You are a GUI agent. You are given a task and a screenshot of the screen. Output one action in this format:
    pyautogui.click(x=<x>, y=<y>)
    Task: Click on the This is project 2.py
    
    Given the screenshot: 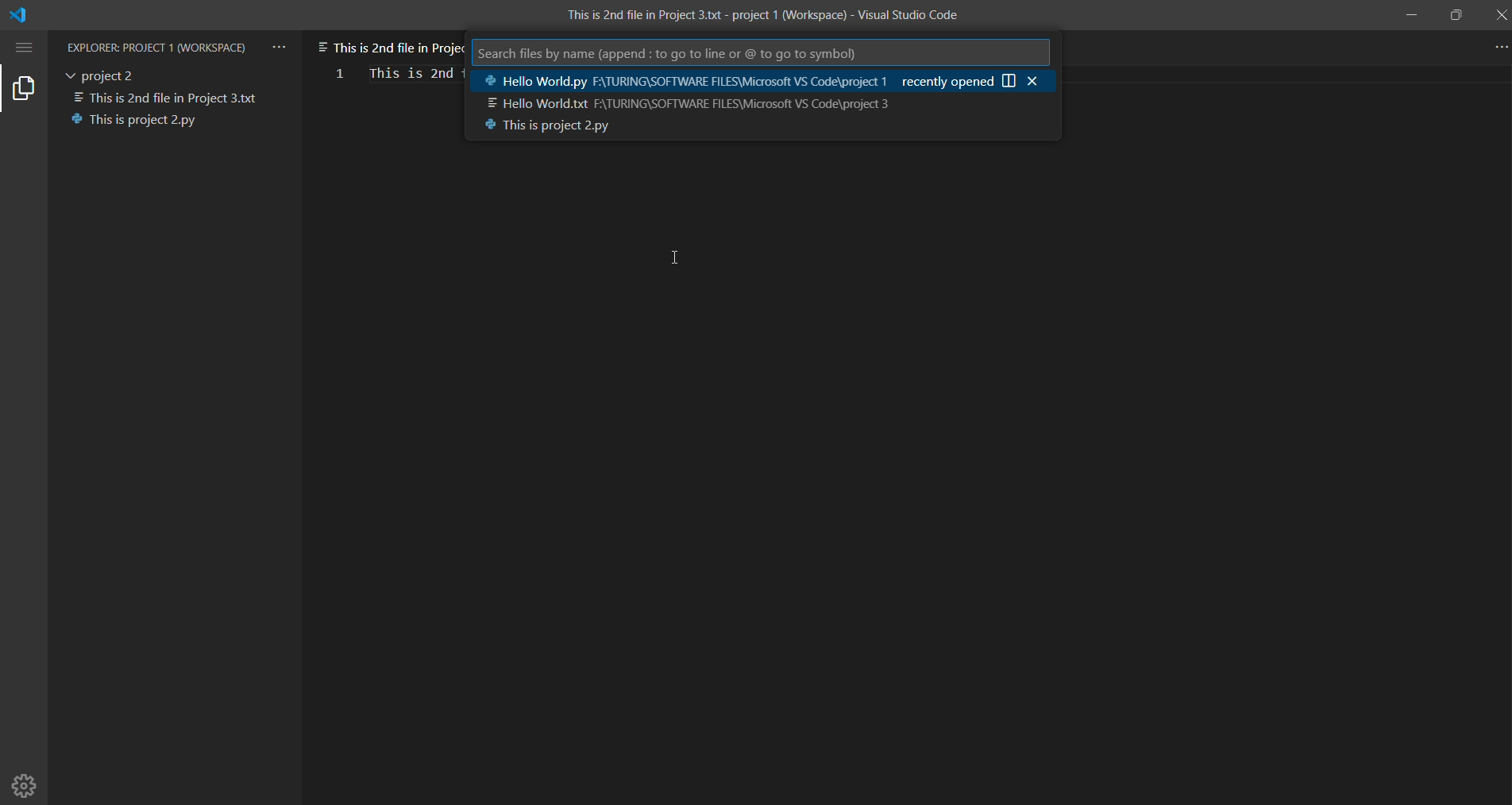 What is the action you would take?
    pyautogui.click(x=140, y=120)
    